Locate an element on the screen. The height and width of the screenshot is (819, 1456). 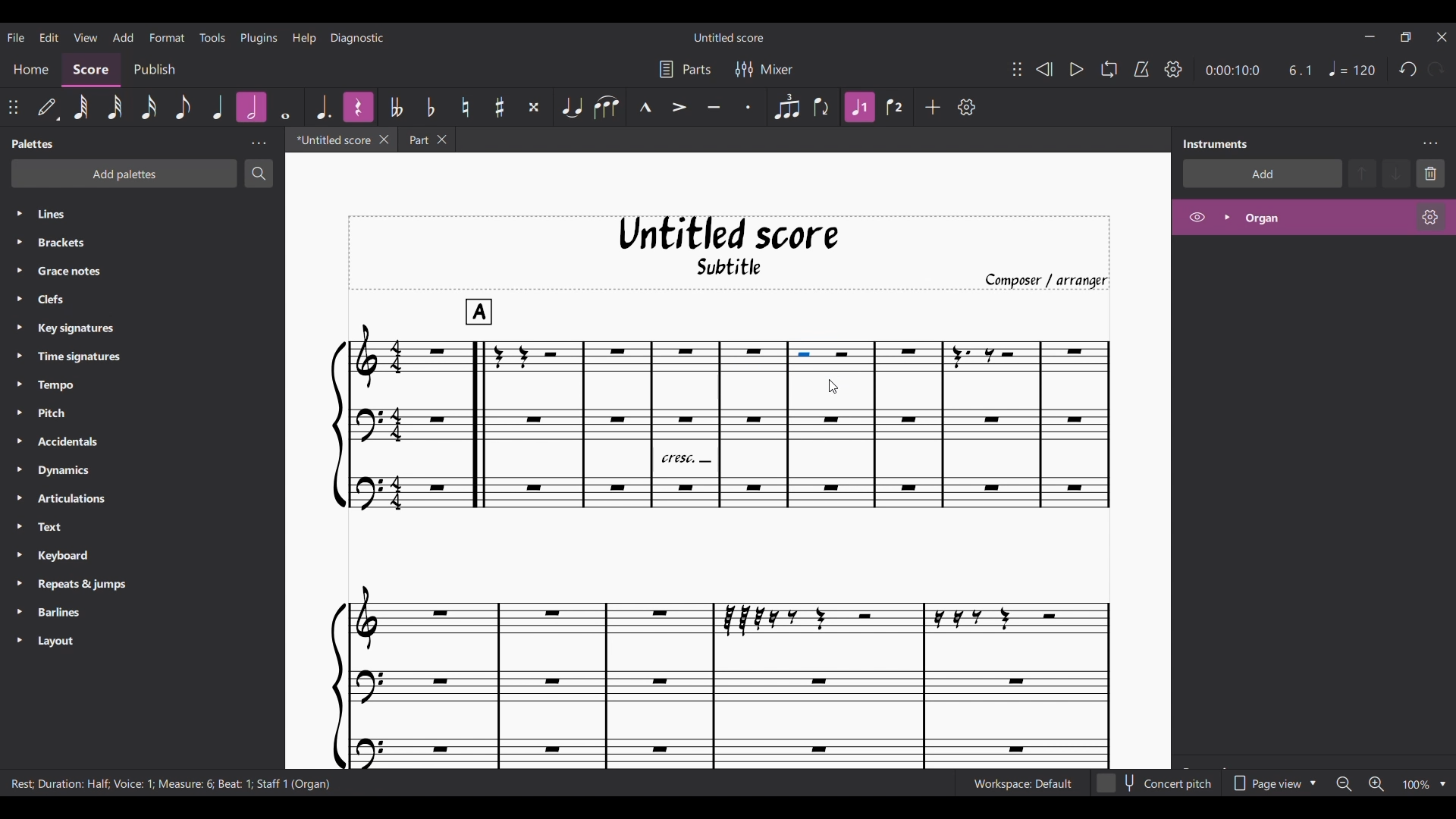
Current workspace setting is located at coordinates (1022, 784).